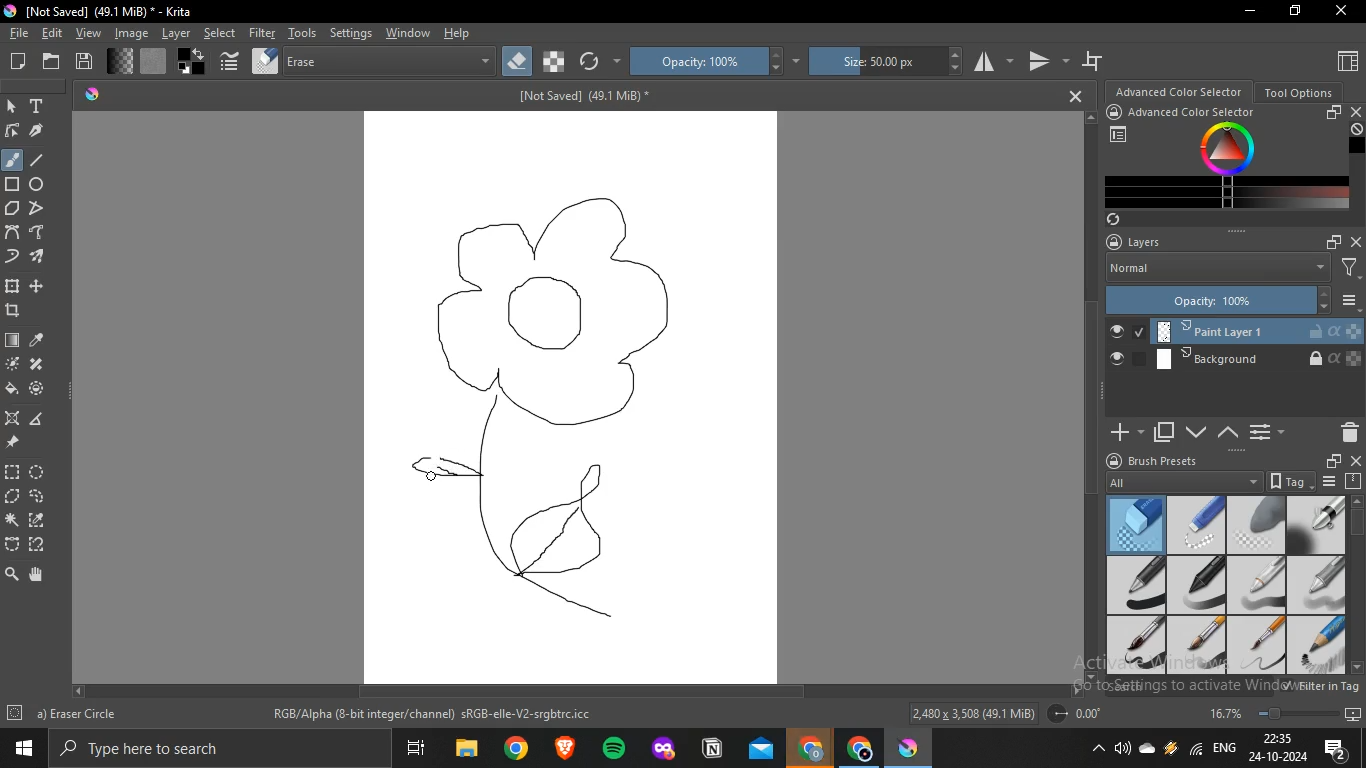 This screenshot has width=1366, height=768. I want to click on swap foreground and background colors, so click(193, 62).